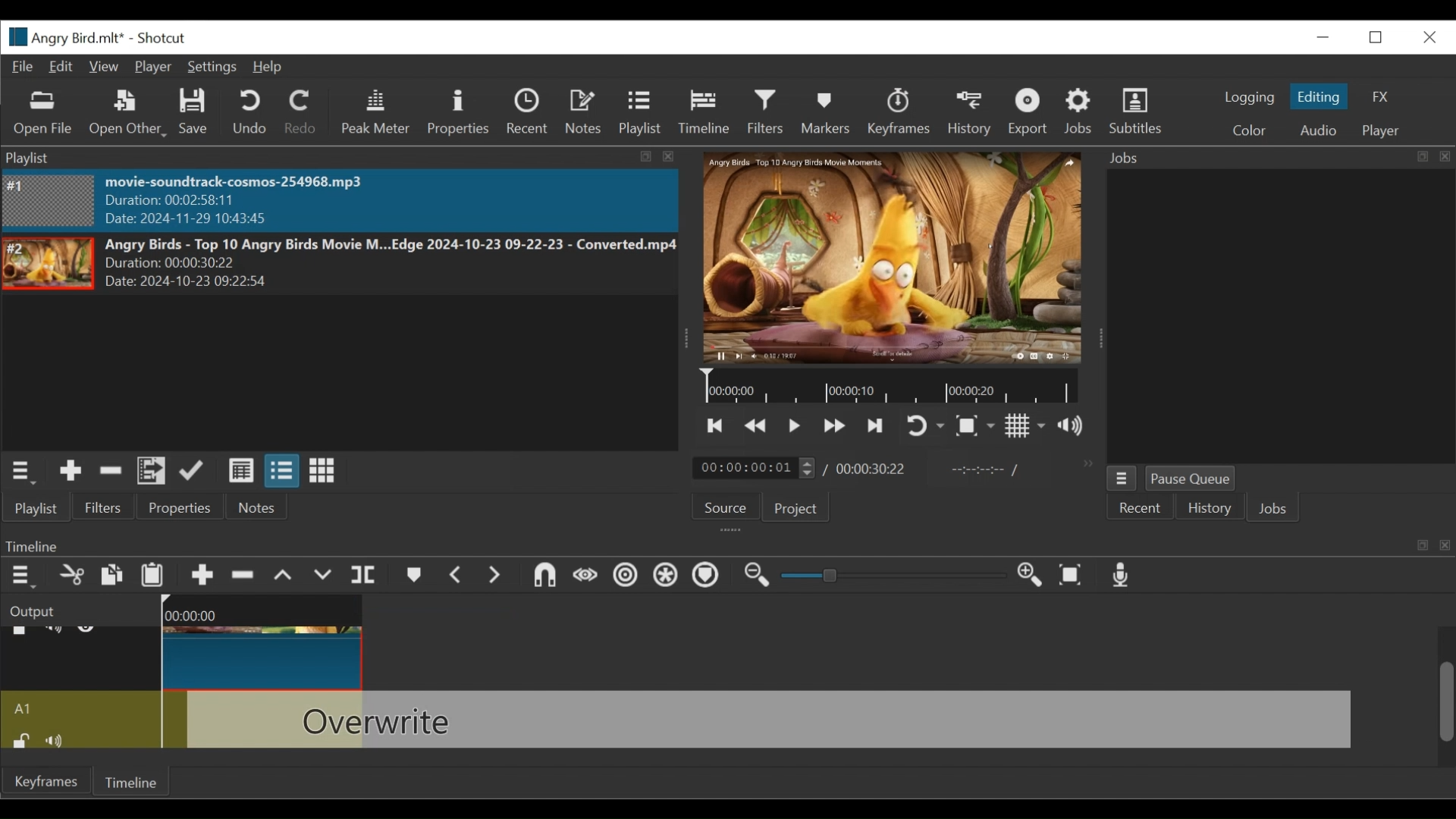  Describe the element at coordinates (826, 112) in the screenshot. I see `Markers` at that location.